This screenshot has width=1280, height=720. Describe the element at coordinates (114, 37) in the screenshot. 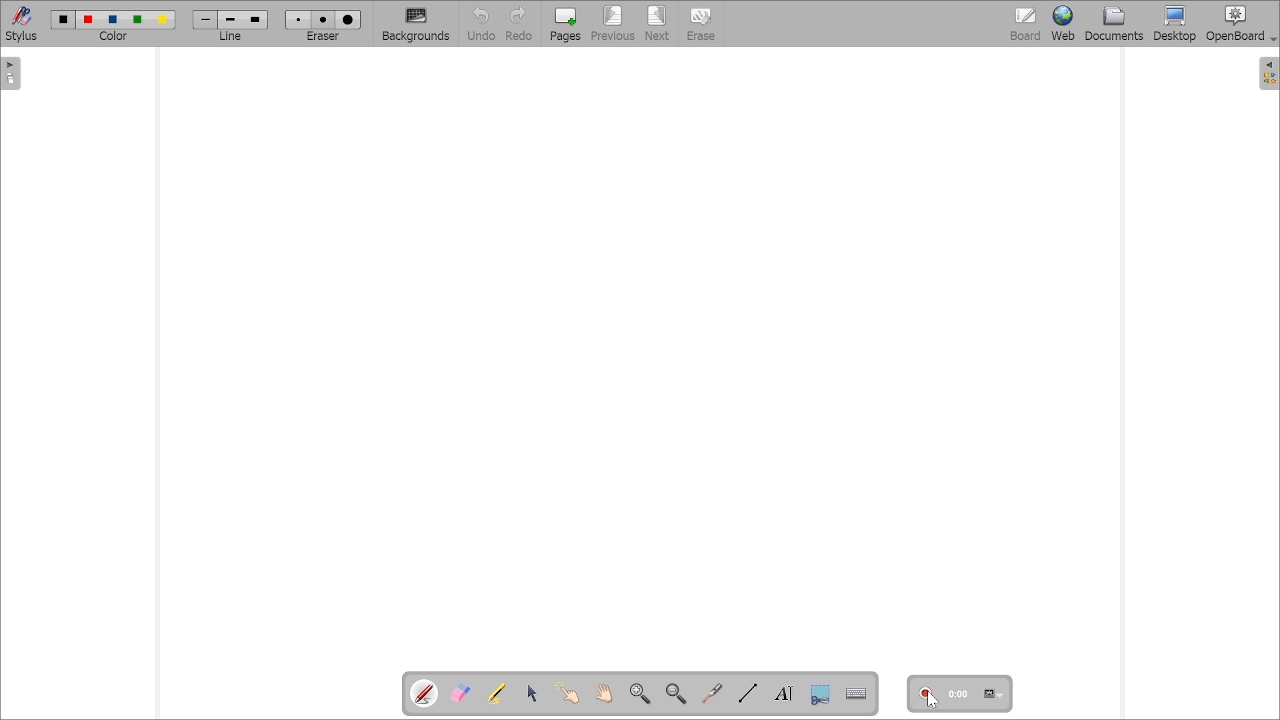

I see `color` at that location.